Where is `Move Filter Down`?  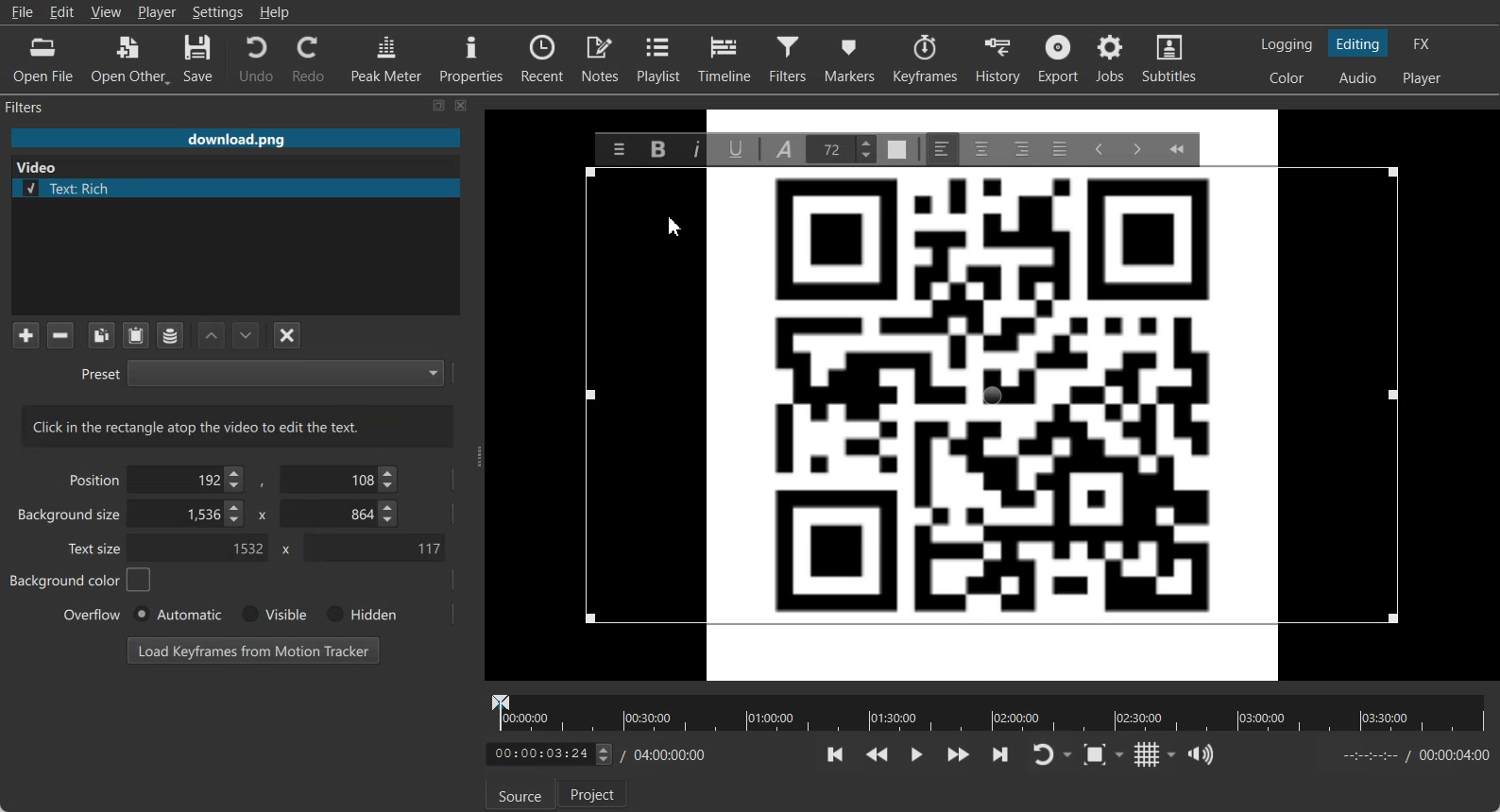
Move Filter Down is located at coordinates (247, 335).